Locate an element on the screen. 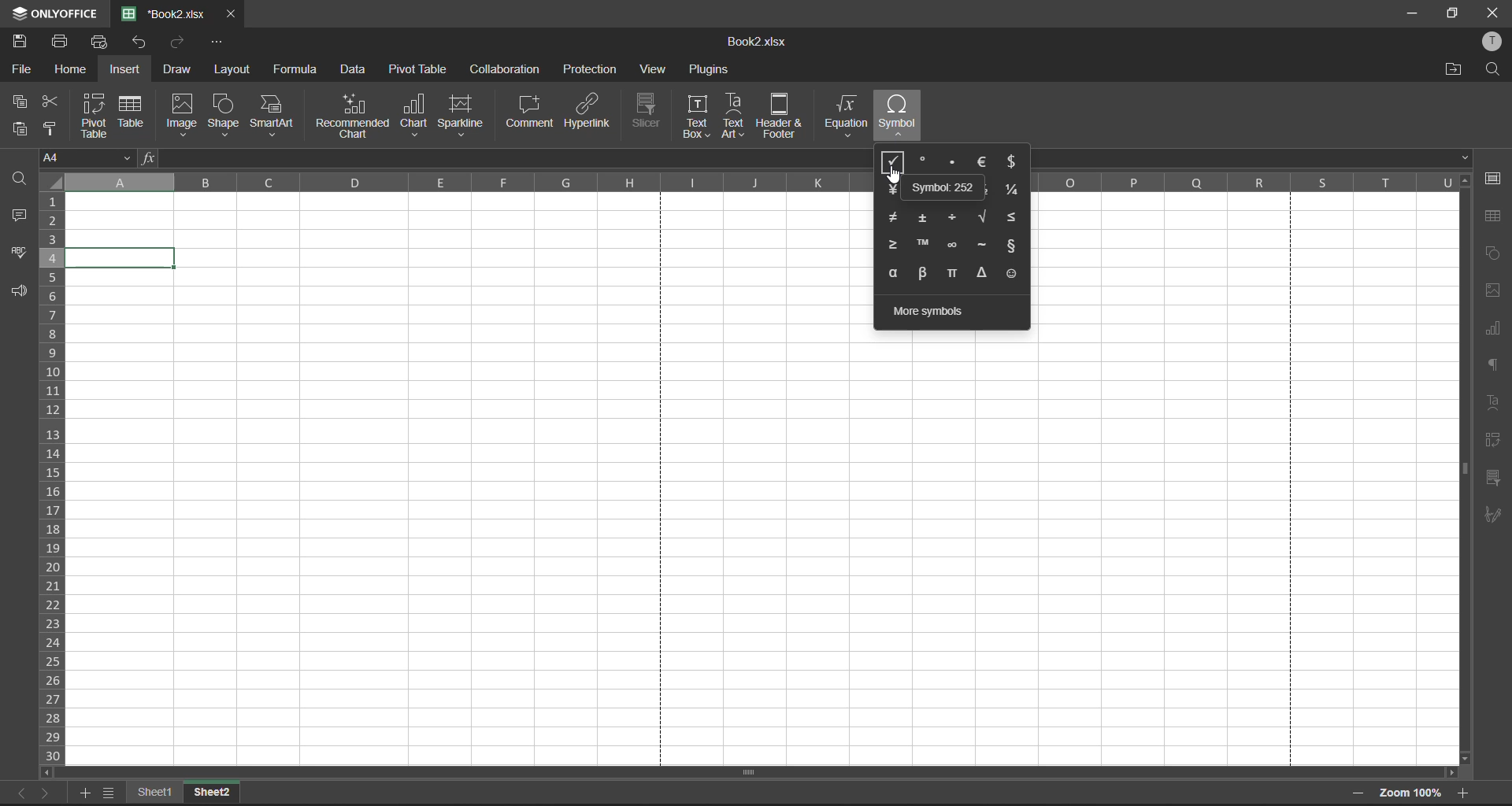  scroll down is located at coordinates (1462, 758).